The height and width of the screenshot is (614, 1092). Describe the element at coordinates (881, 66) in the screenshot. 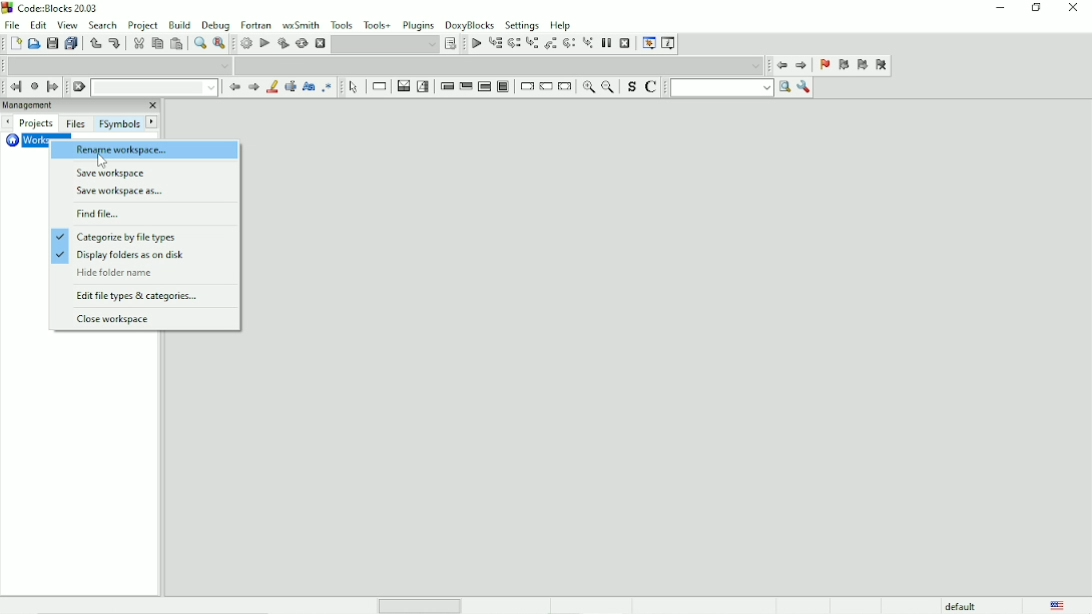

I see `Clear bookmarks` at that location.